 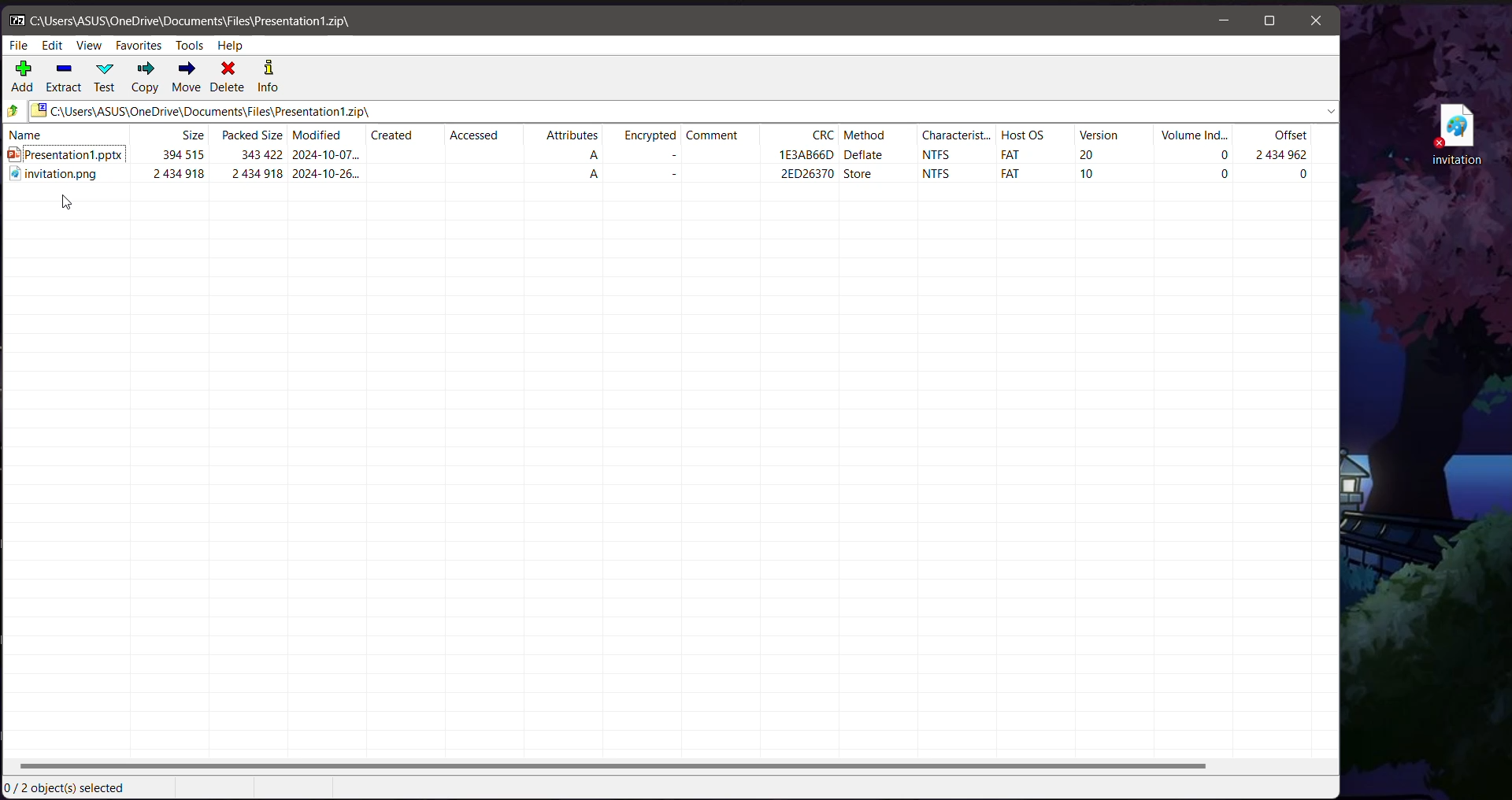 I want to click on Host OS, so click(x=1036, y=134).